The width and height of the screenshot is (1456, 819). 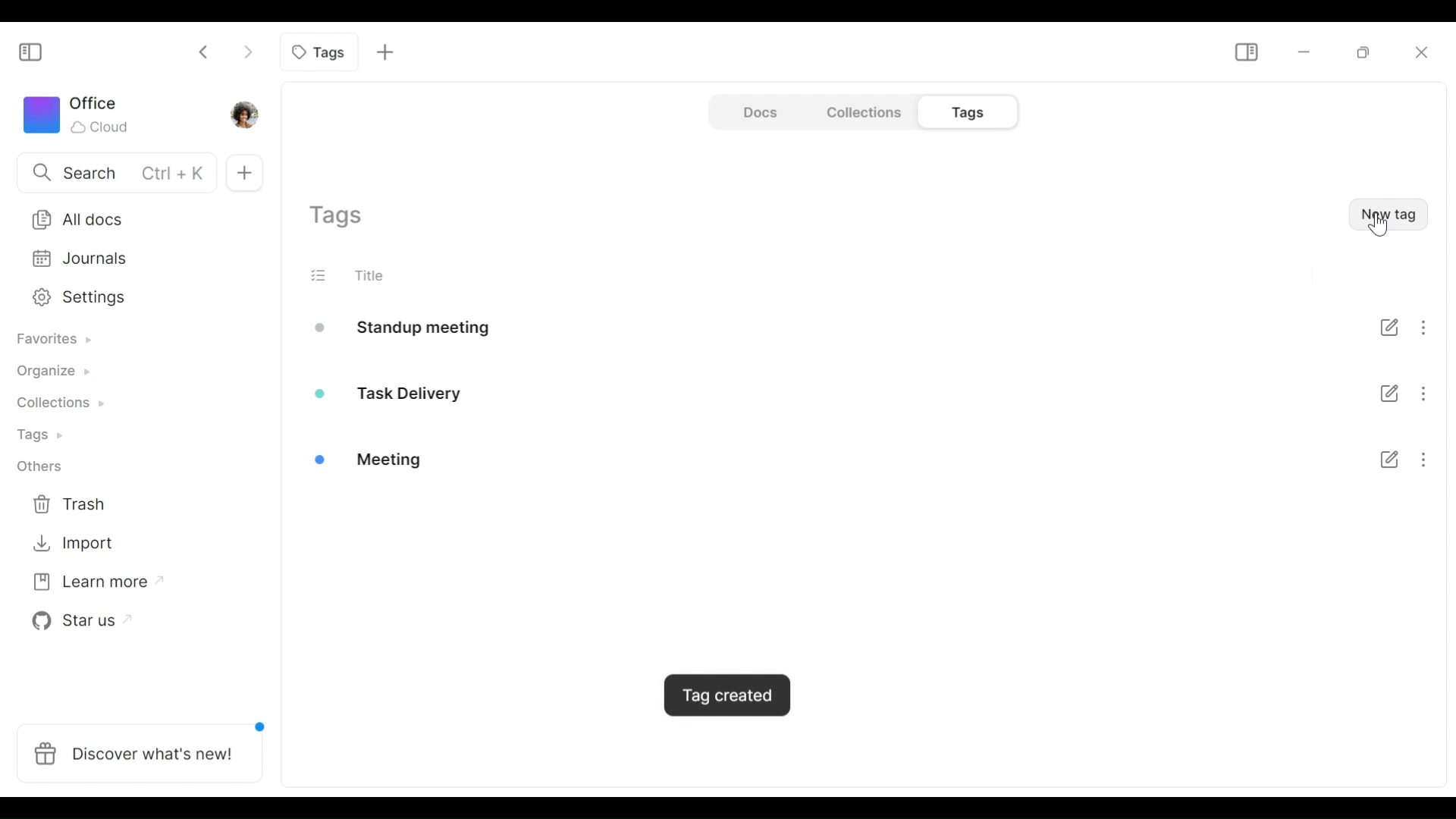 What do you see at coordinates (80, 504) in the screenshot?
I see `Trash` at bounding box center [80, 504].